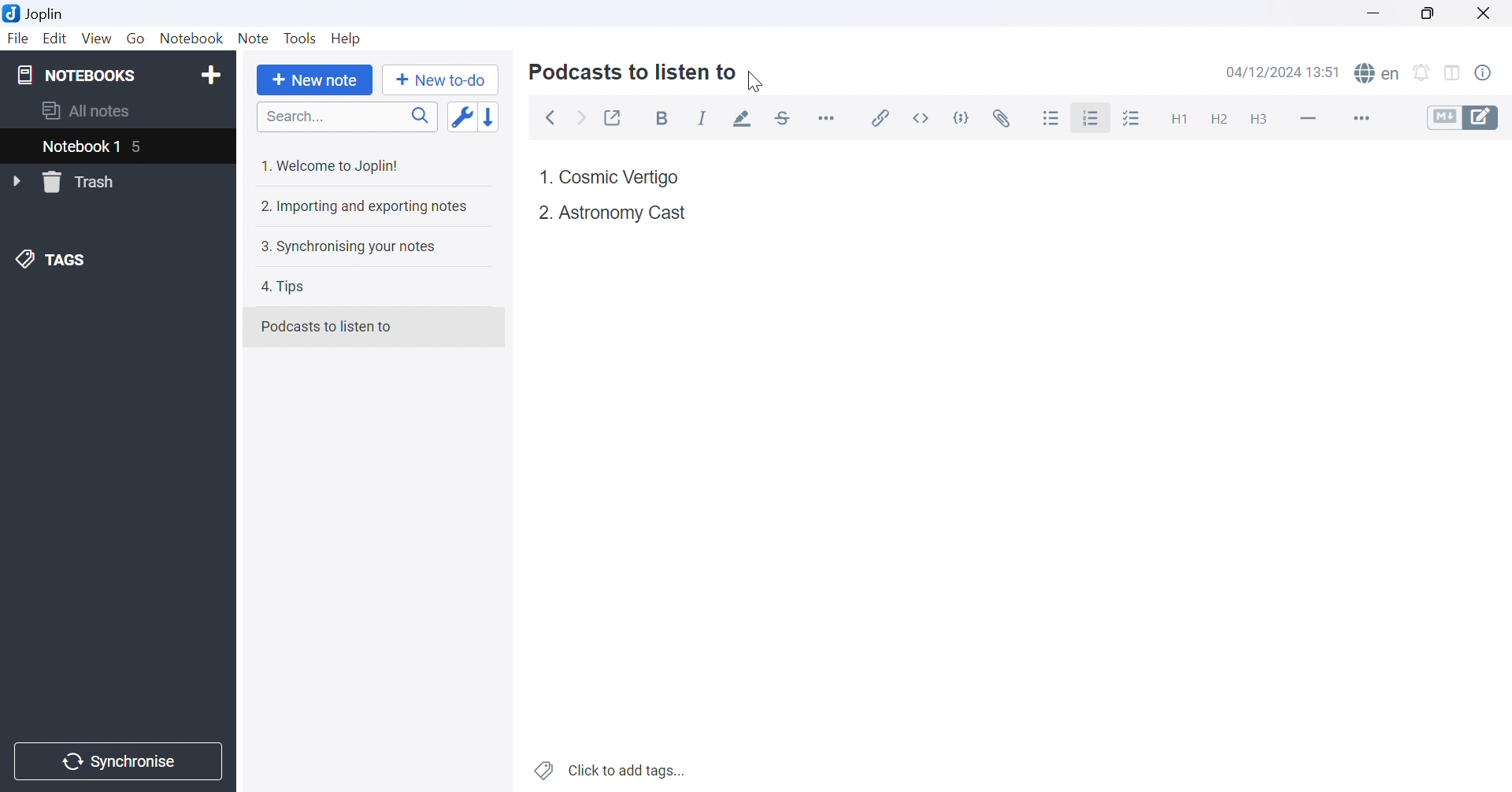 This screenshot has width=1512, height=792. I want to click on Synchronise, so click(120, 762).